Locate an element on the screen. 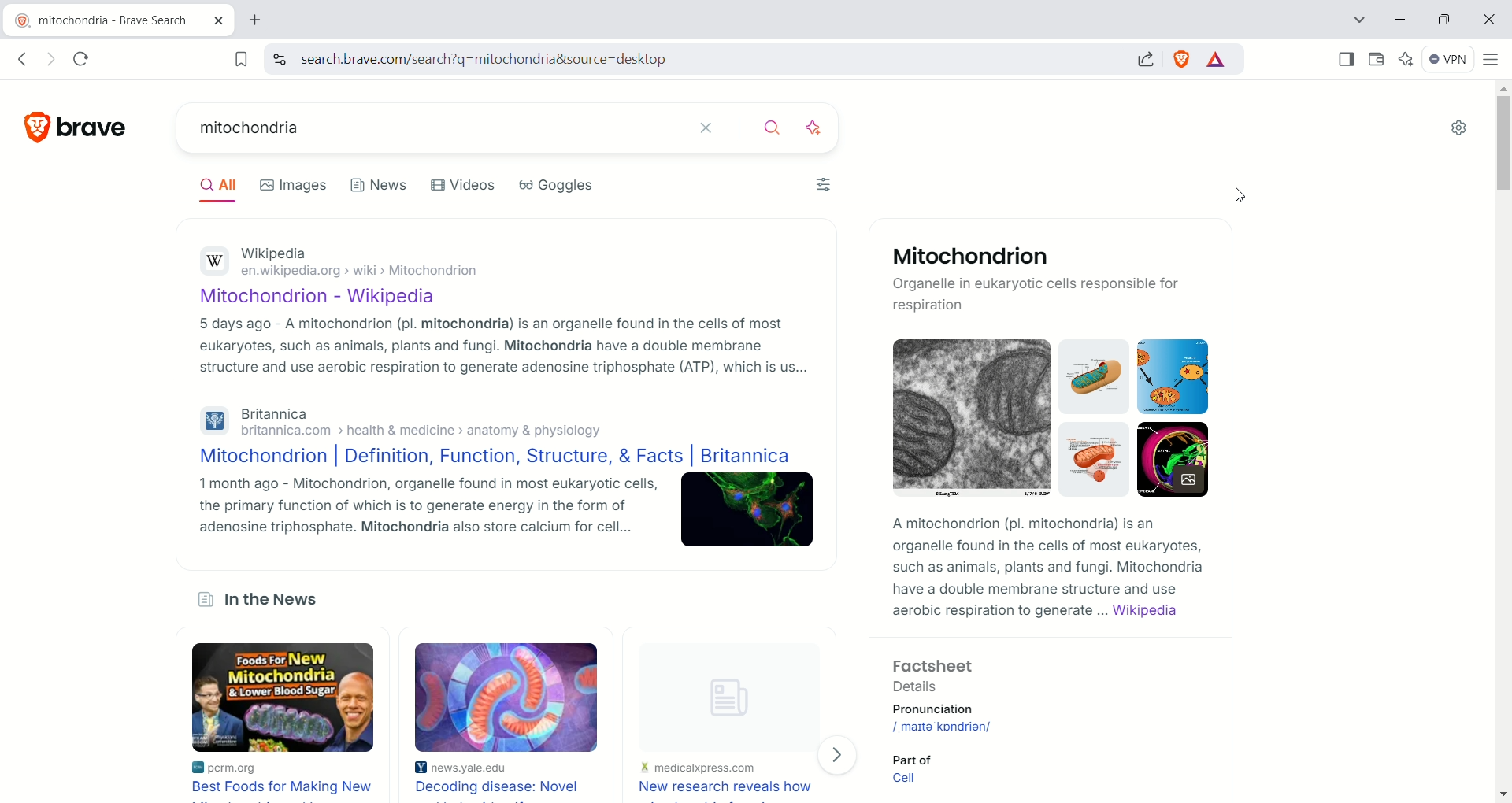 The height and width of the screenshot is (803, 1512). Image is located at coordinates (1095, 379).